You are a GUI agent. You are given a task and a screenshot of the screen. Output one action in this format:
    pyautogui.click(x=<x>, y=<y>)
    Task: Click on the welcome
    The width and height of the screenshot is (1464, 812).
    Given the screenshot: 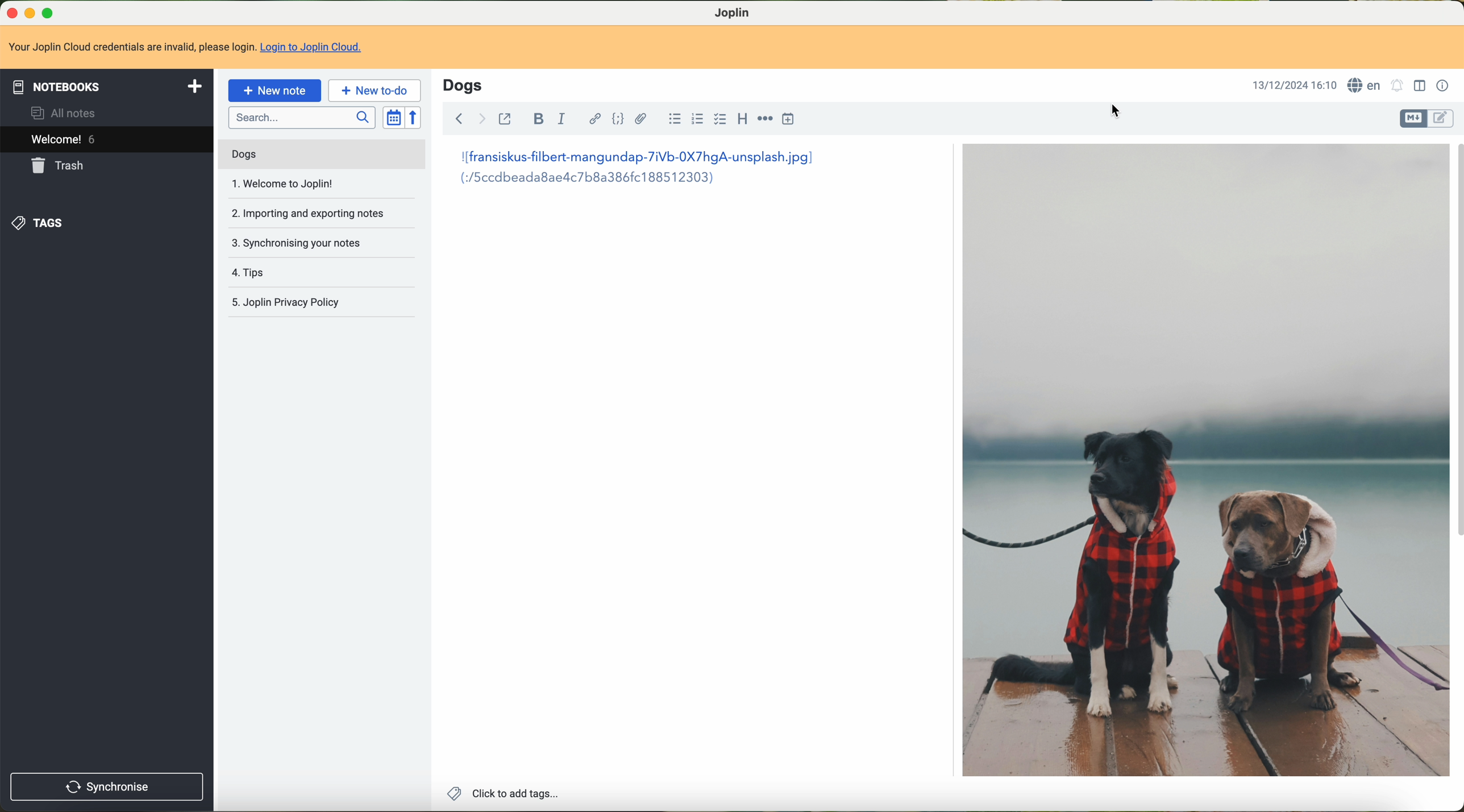 What is the action you would take?
    pyautogui.click(x=107, y=141)
    